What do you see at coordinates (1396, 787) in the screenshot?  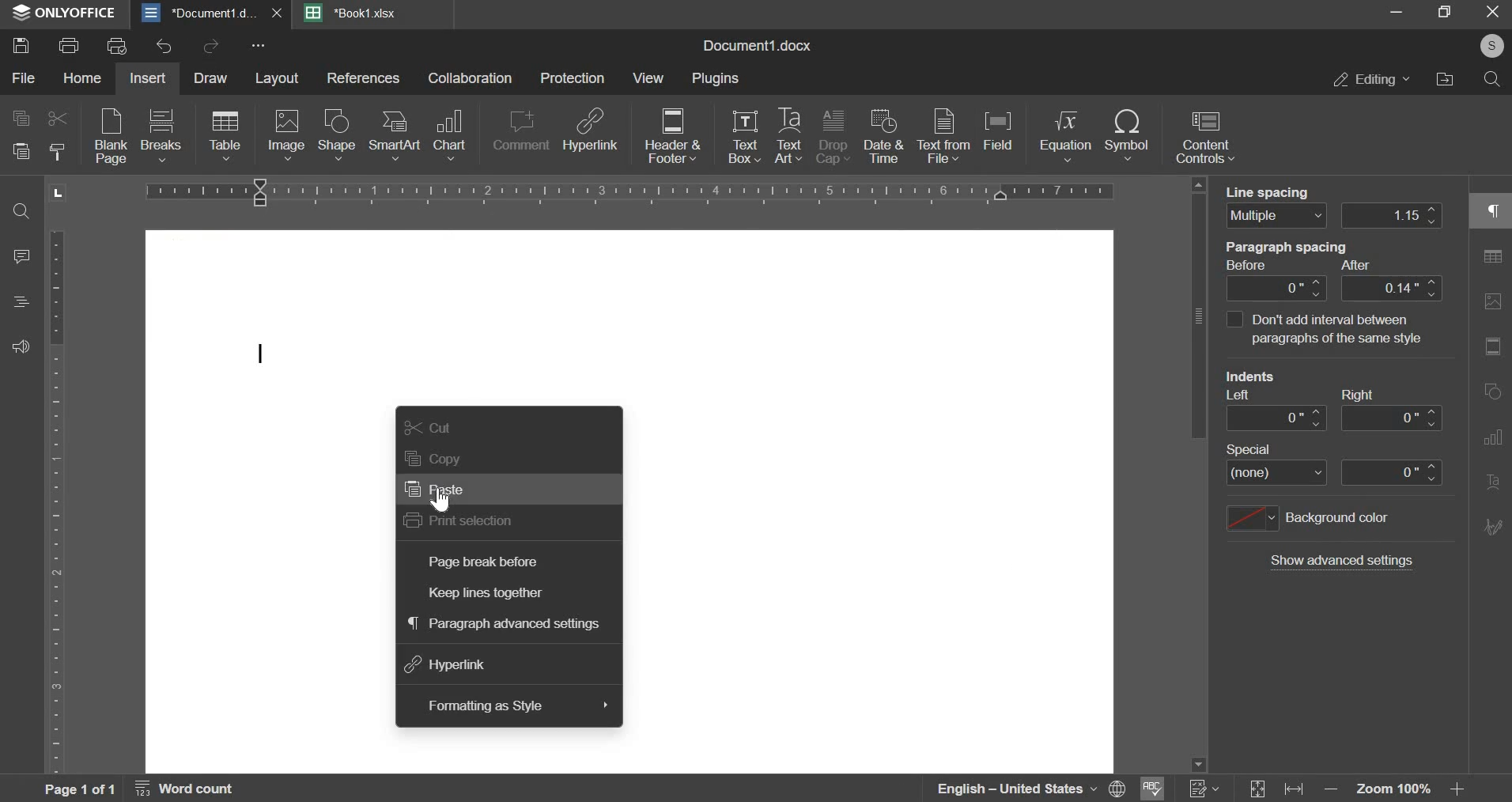 I see `zoom` at bounding box center [1396, 787].